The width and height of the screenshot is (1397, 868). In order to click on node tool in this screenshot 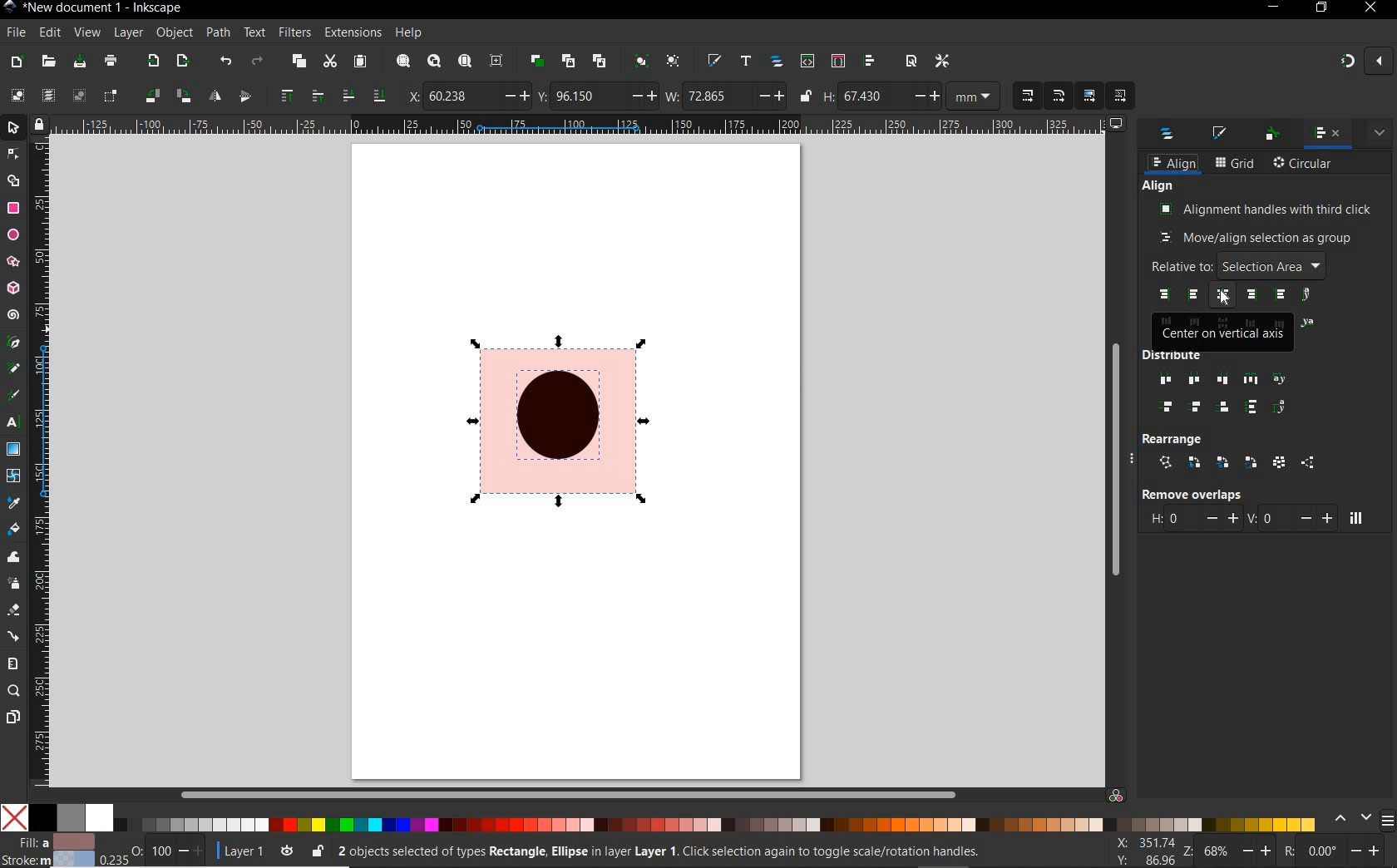, I will do `click(12, 152)`.